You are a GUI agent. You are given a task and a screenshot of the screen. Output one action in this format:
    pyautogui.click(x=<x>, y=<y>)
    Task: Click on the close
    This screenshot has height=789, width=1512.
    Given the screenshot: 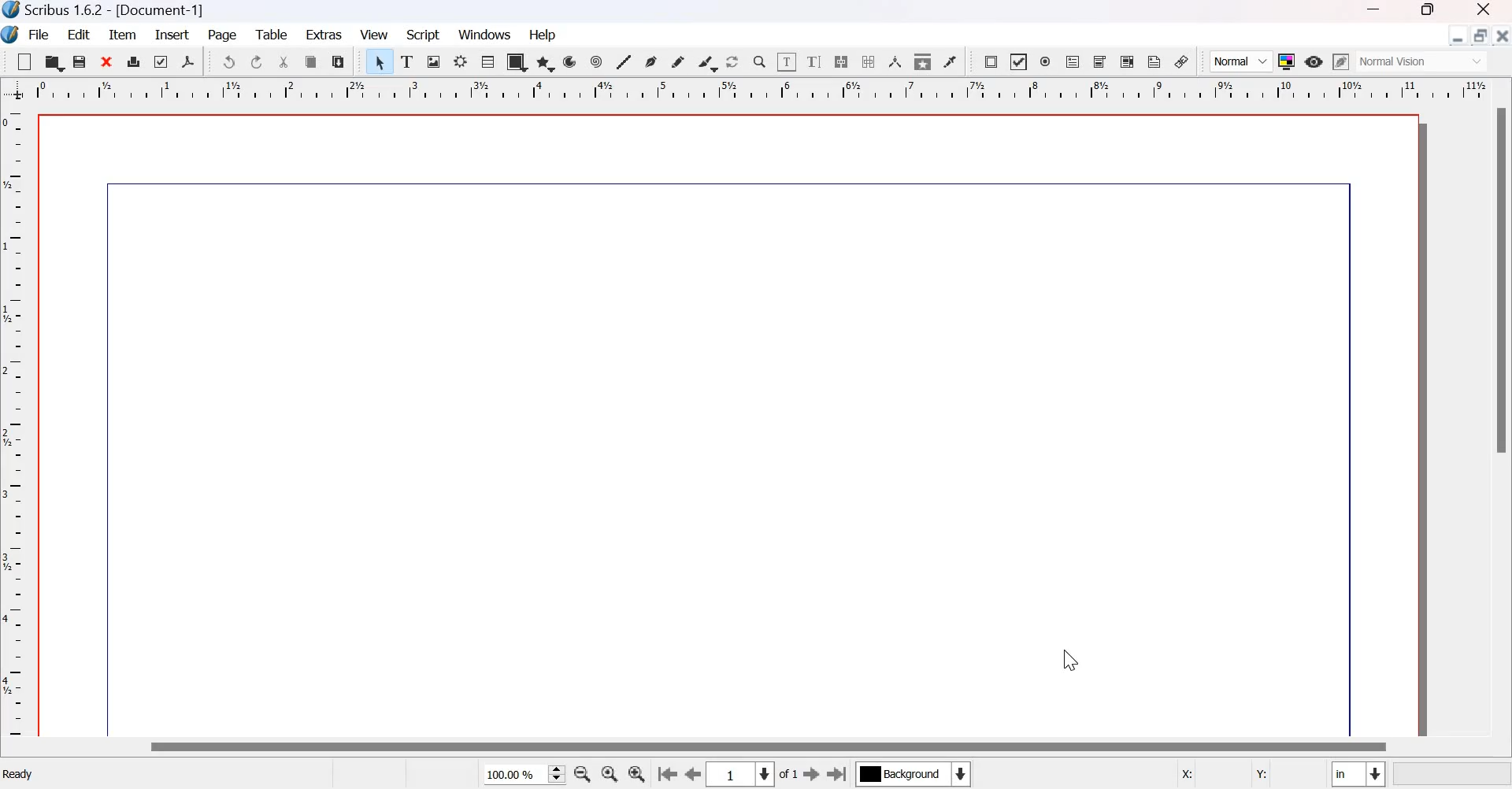 What is the action you would take?
    pyautogui.click(x=1488, y=9)
    